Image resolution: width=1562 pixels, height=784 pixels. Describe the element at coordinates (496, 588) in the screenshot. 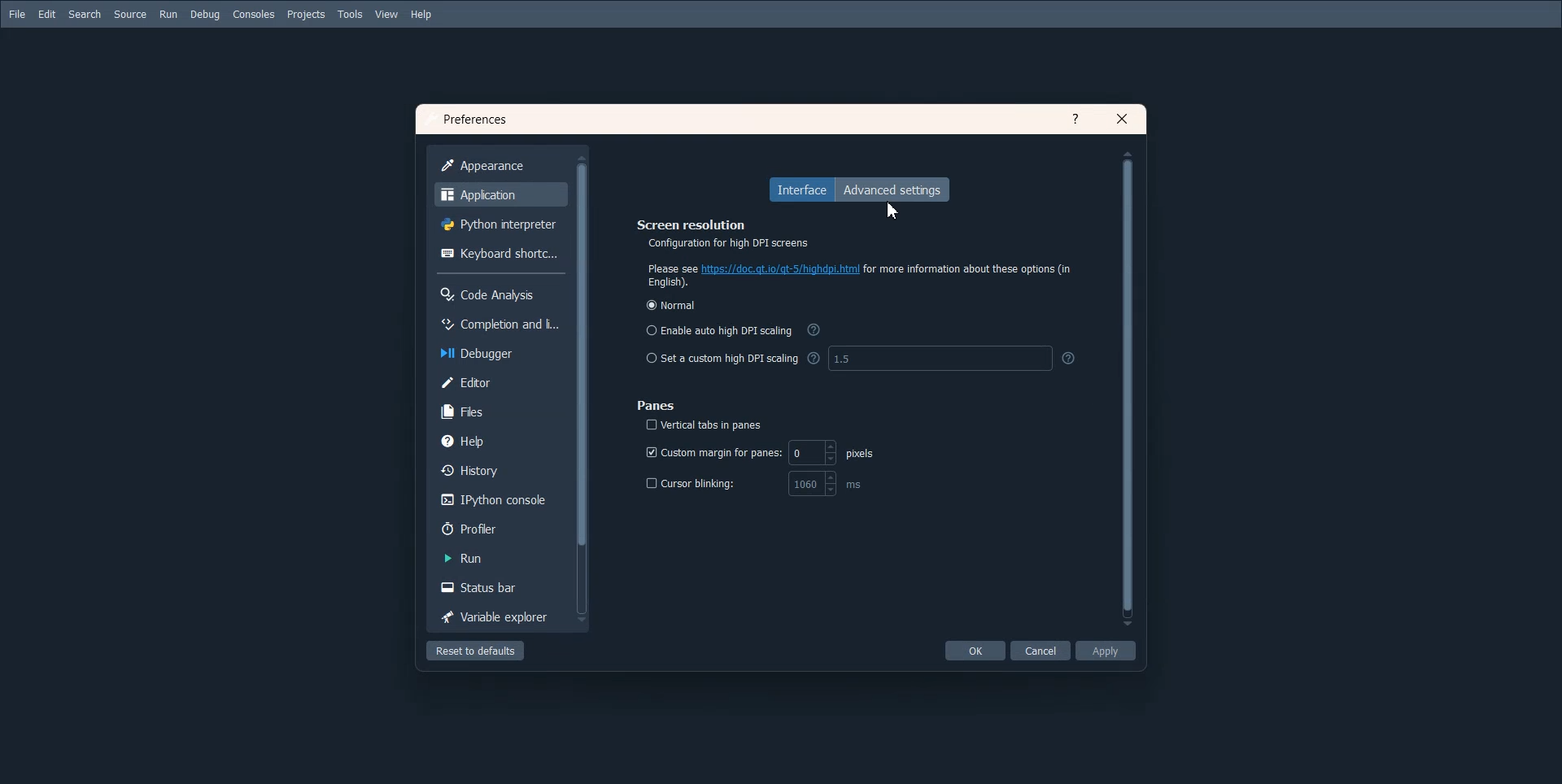

I see `Status bar` at that location.